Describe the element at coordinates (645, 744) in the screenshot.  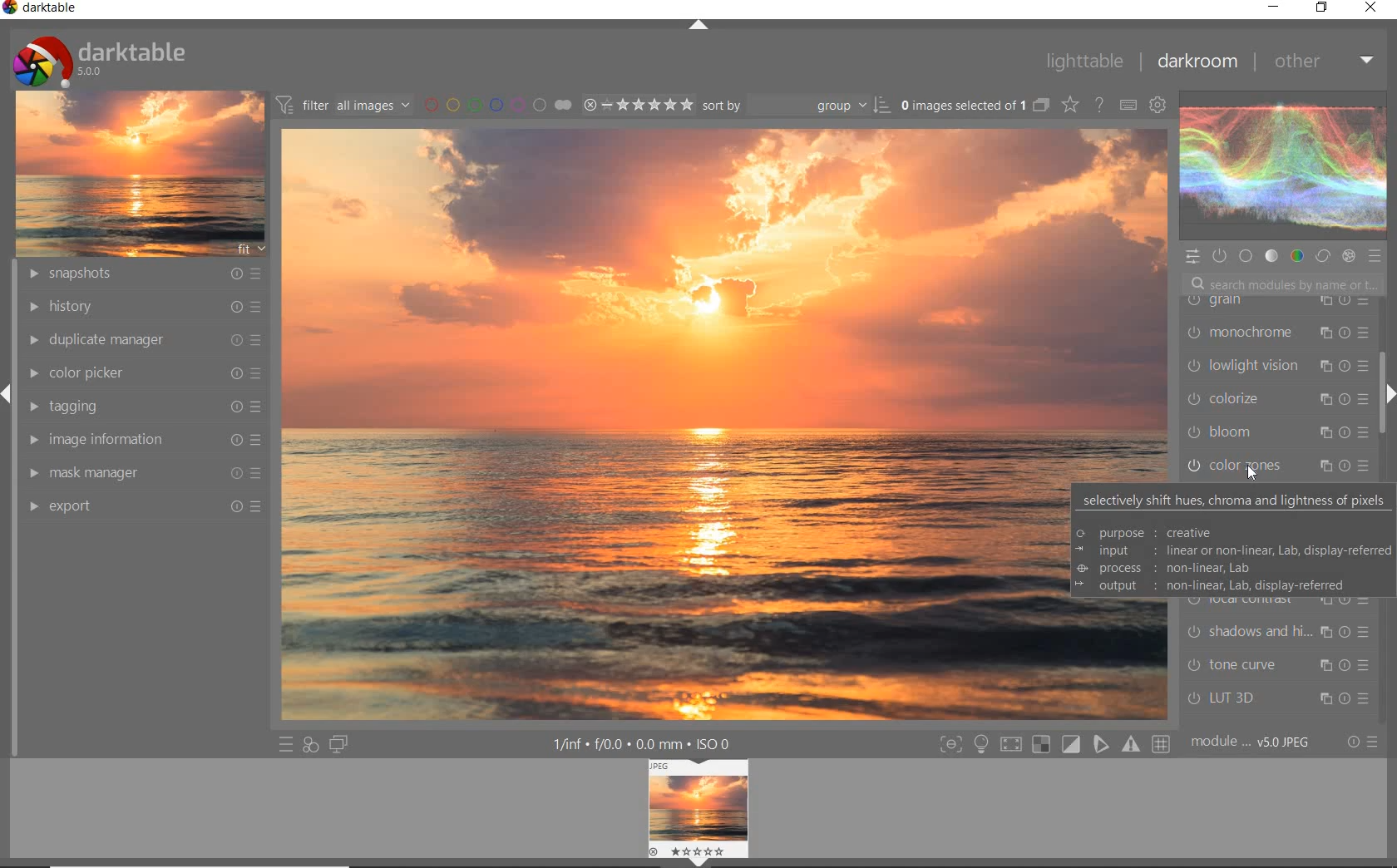
I see `OTHER INTERFACE DETAIL` at that location.